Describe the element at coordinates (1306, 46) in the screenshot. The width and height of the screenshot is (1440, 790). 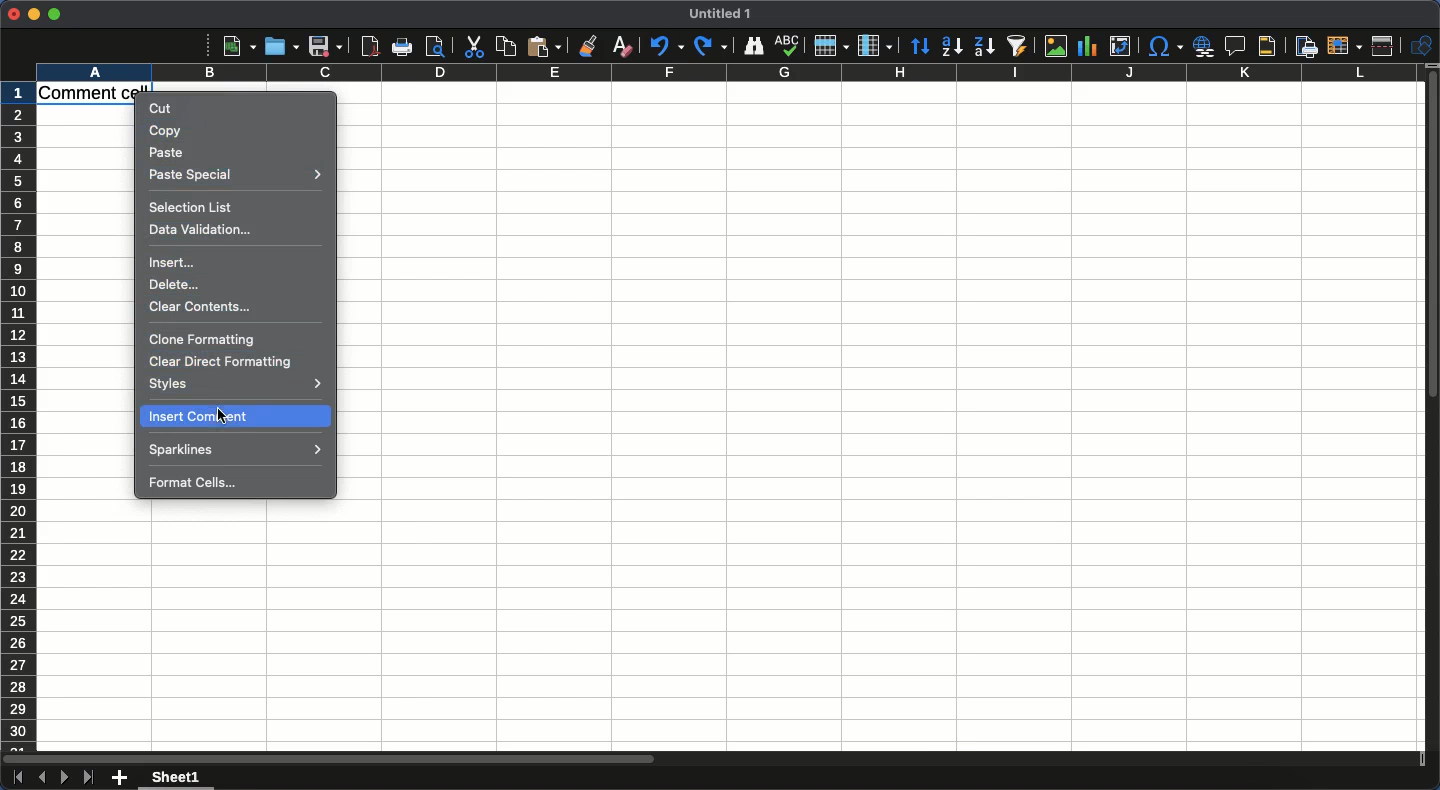
I see `Define print area` at that location.